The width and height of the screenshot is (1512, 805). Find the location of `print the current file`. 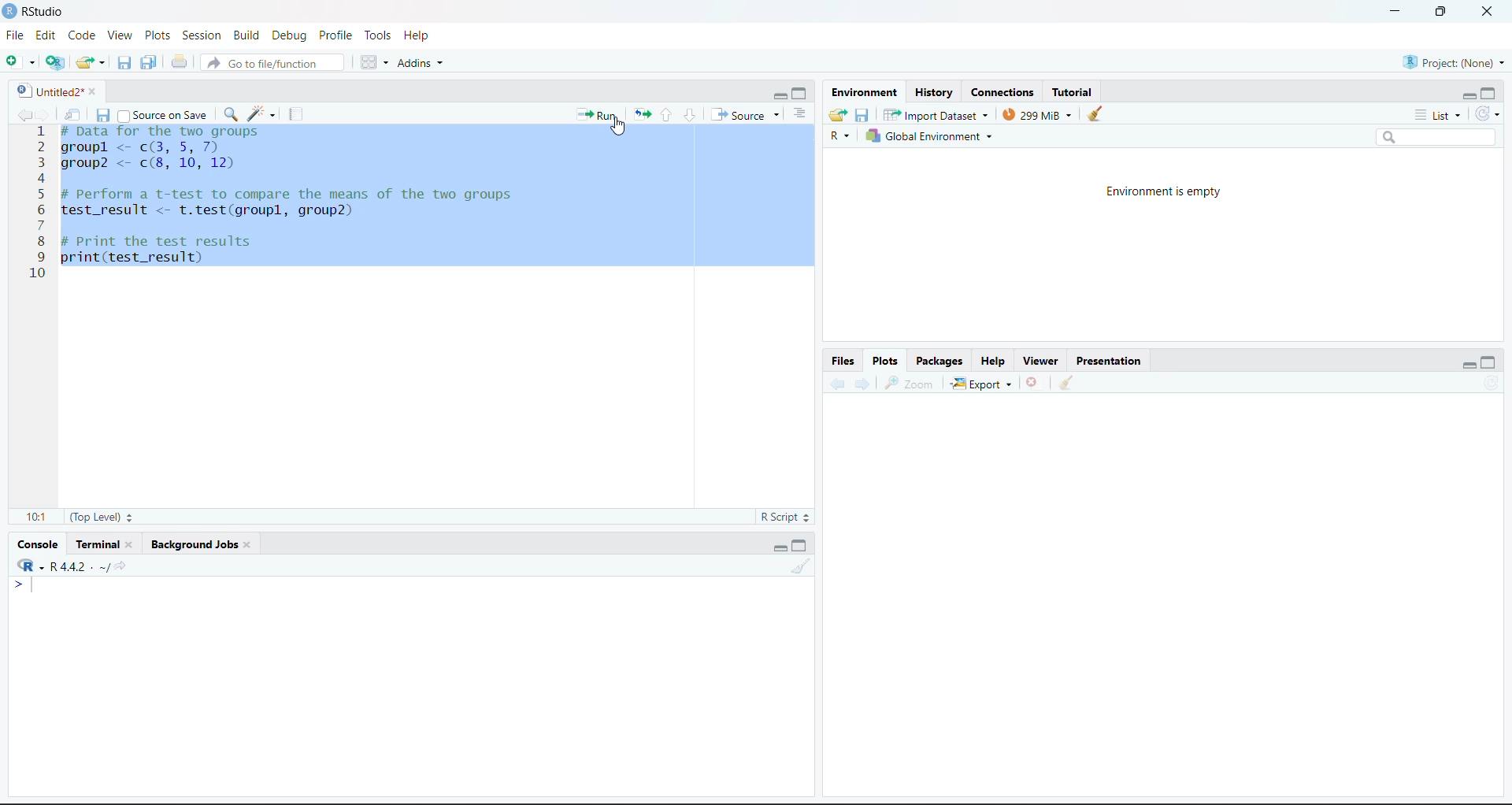

print the current file is located at coordinates (180, 62).